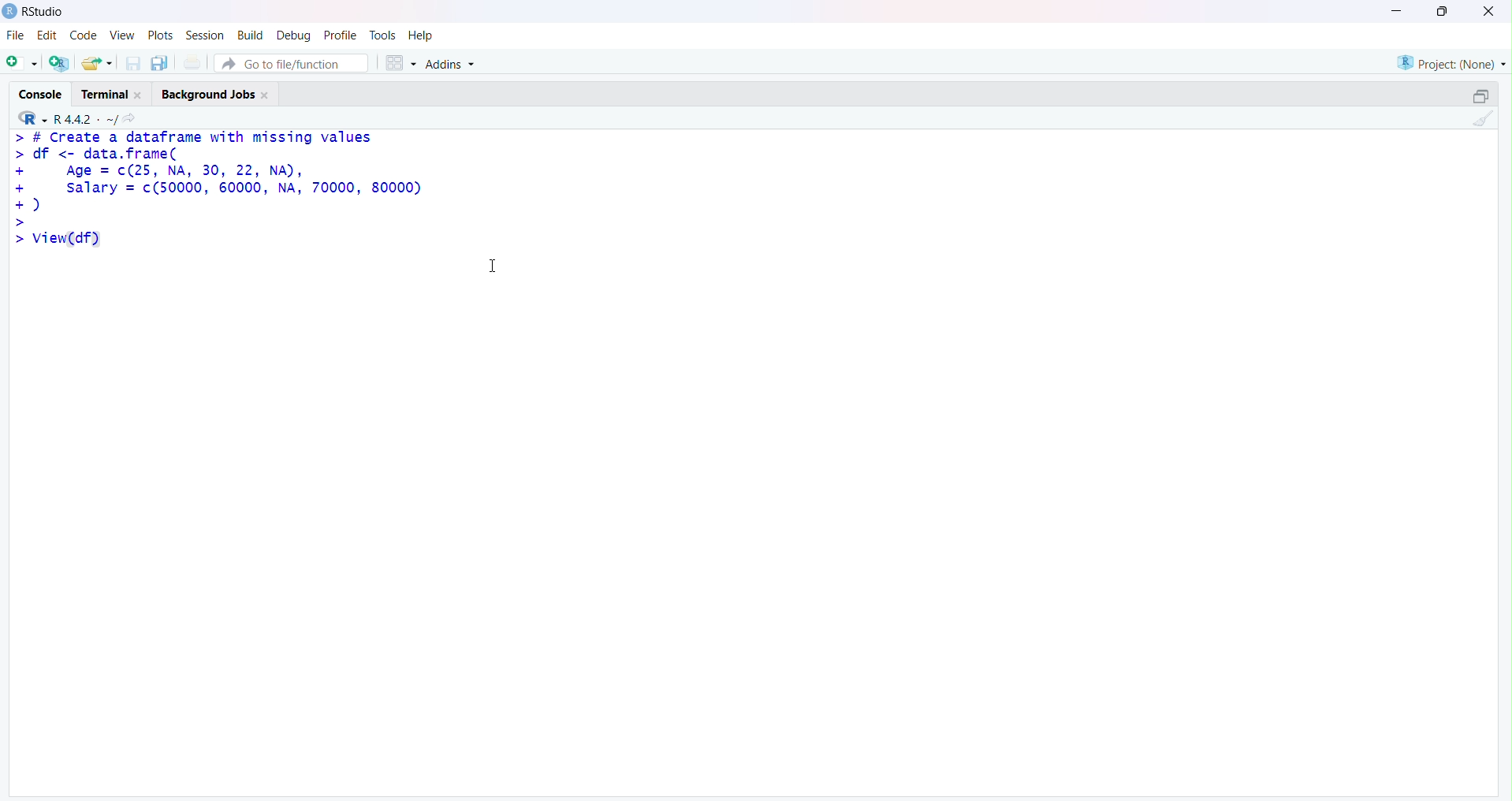 The width and height of the screenshot is (1512, 801). Describe the element at coordinates (43, 92) in the screenshot. I see `Console` at that location.